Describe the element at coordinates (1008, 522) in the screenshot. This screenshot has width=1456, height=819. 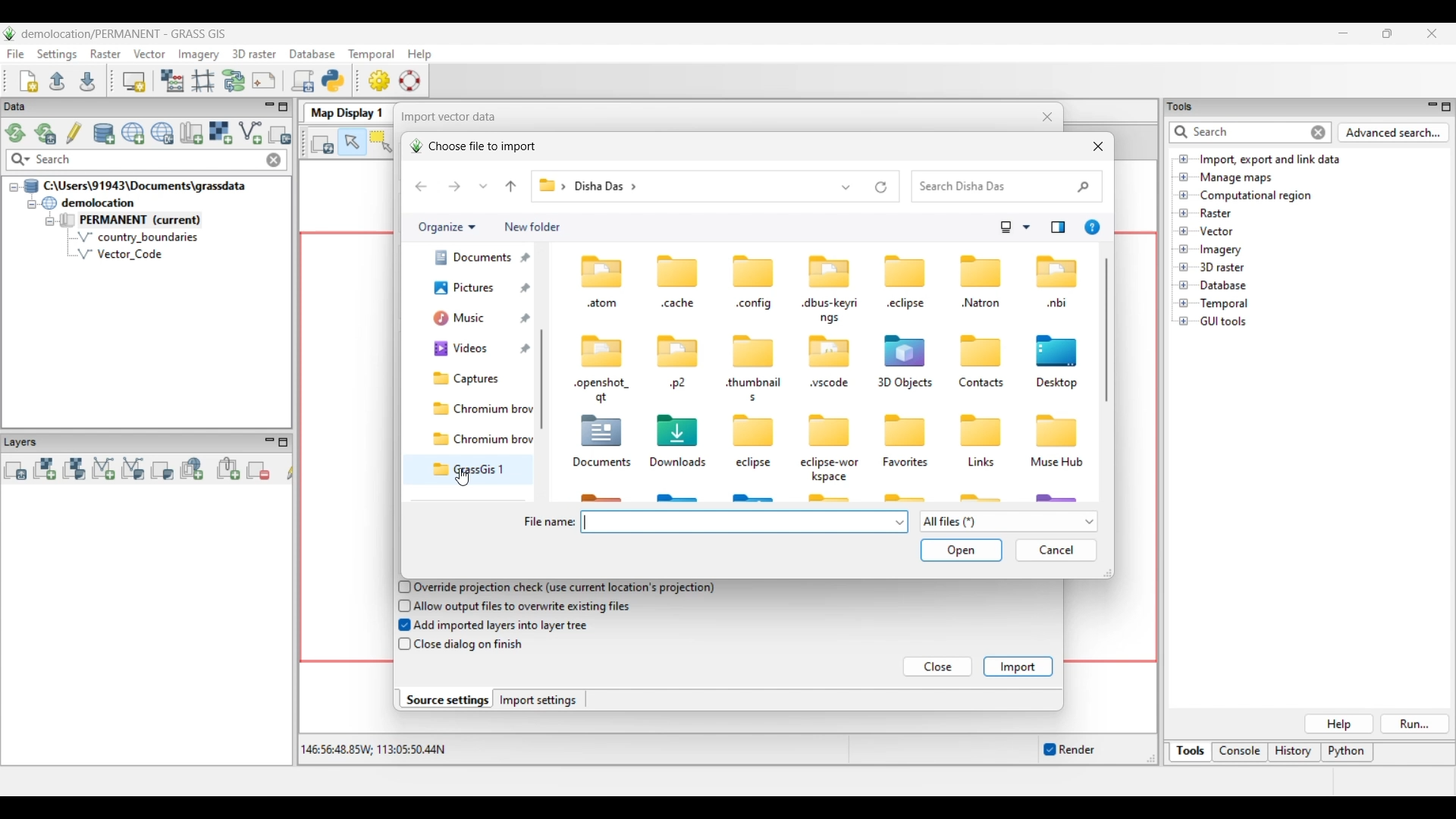
I see `Show list of file options` at that location.